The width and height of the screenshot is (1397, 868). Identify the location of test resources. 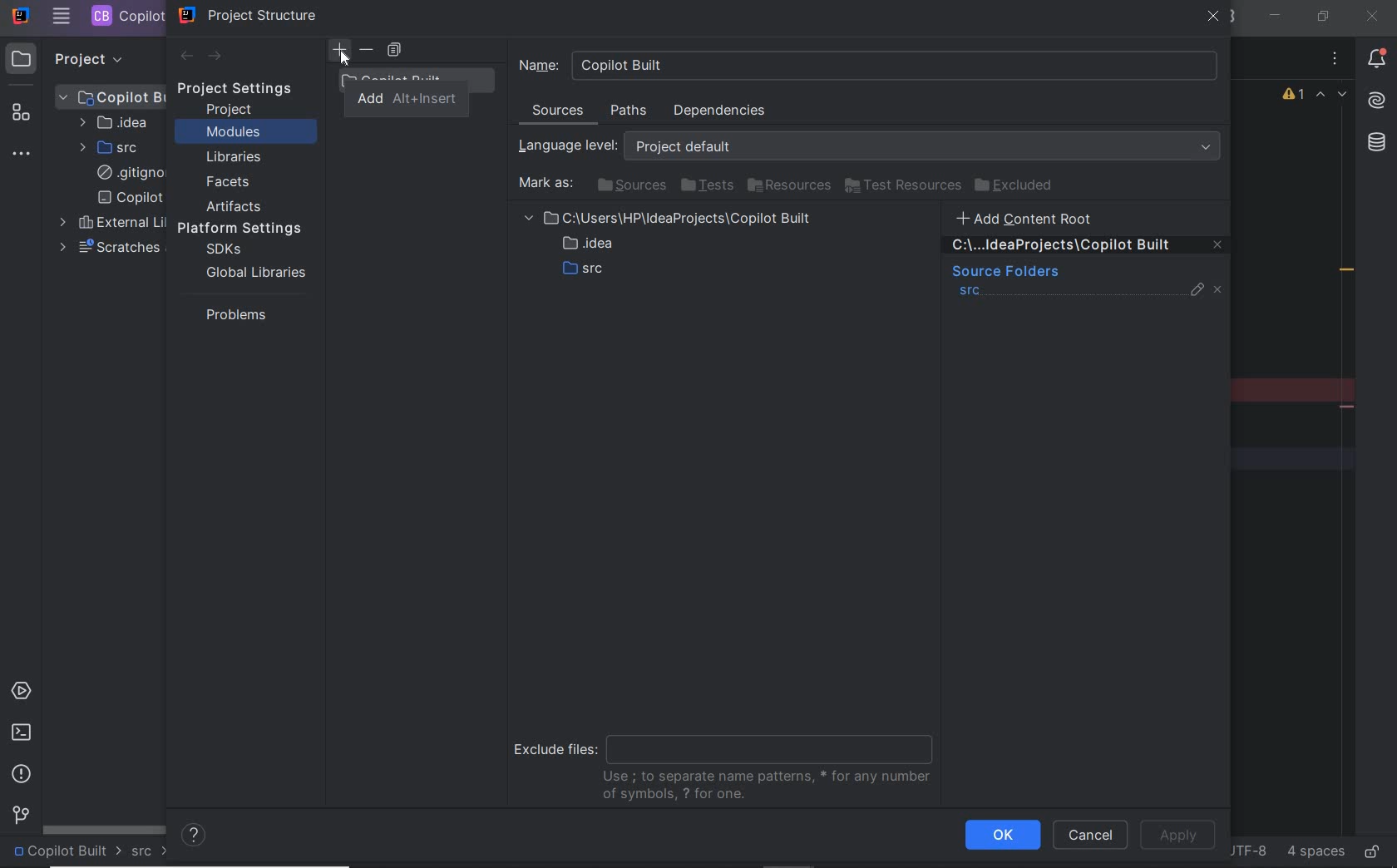
(904, 186).